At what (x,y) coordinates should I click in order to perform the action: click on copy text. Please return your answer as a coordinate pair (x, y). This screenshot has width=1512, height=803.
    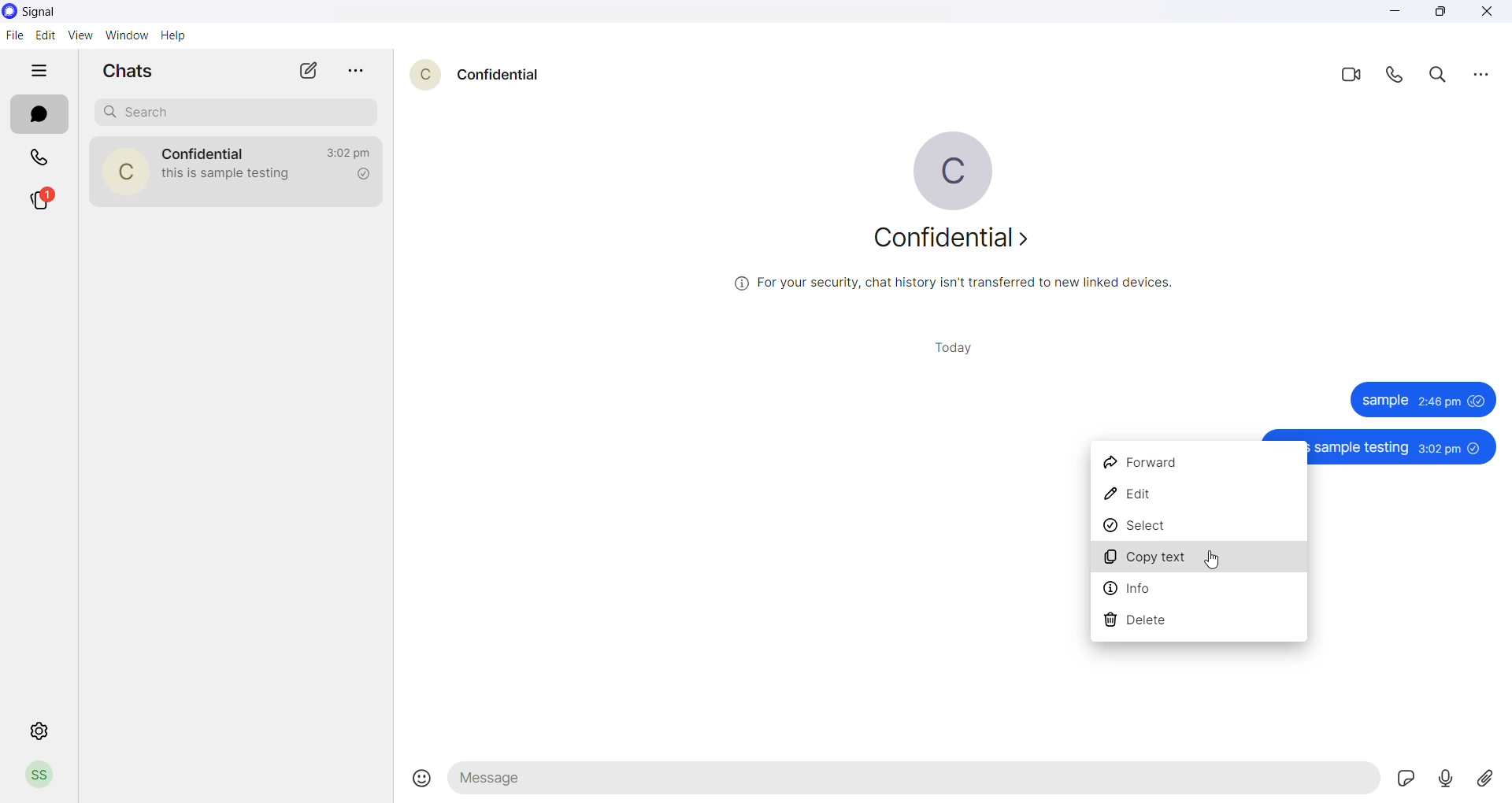
    Looking at the image, I should click on (1198, 559).